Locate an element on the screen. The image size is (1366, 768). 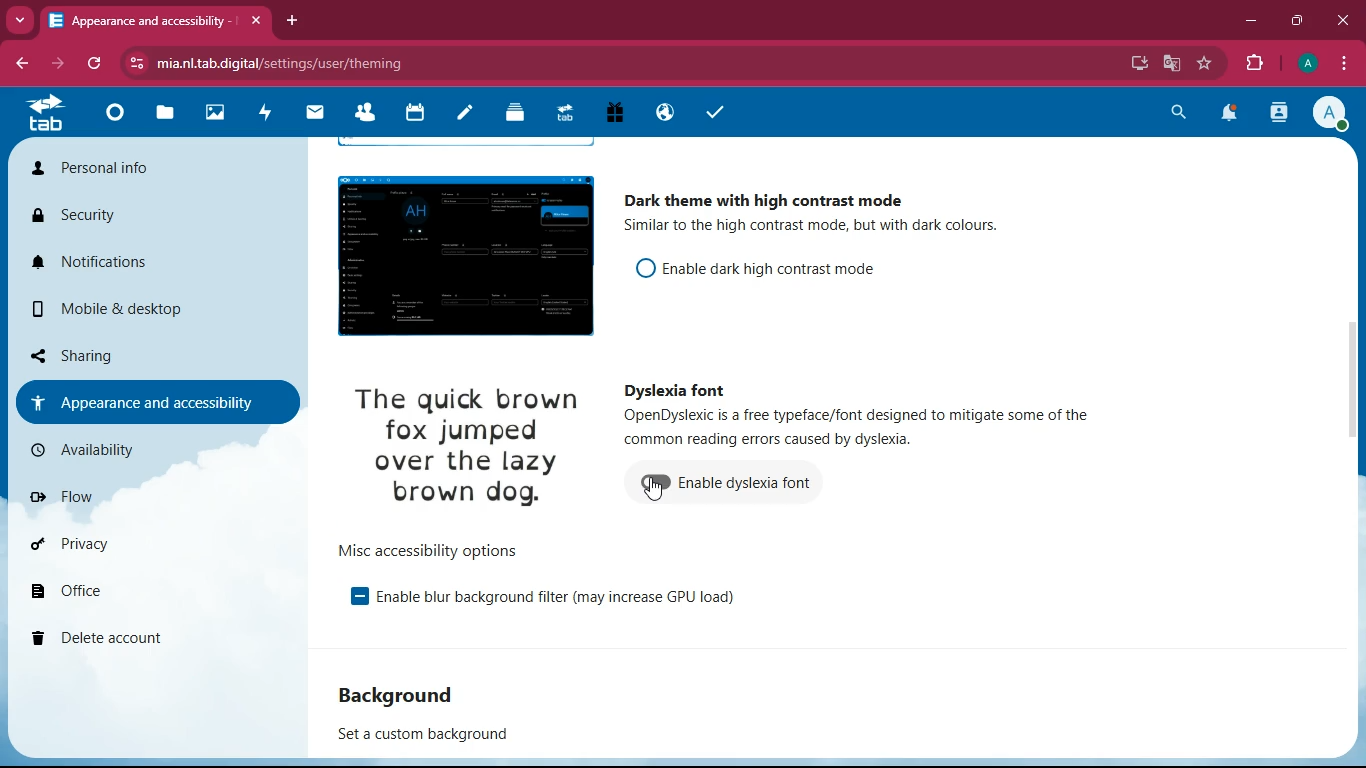
availability is located at coordinates (137, 456).